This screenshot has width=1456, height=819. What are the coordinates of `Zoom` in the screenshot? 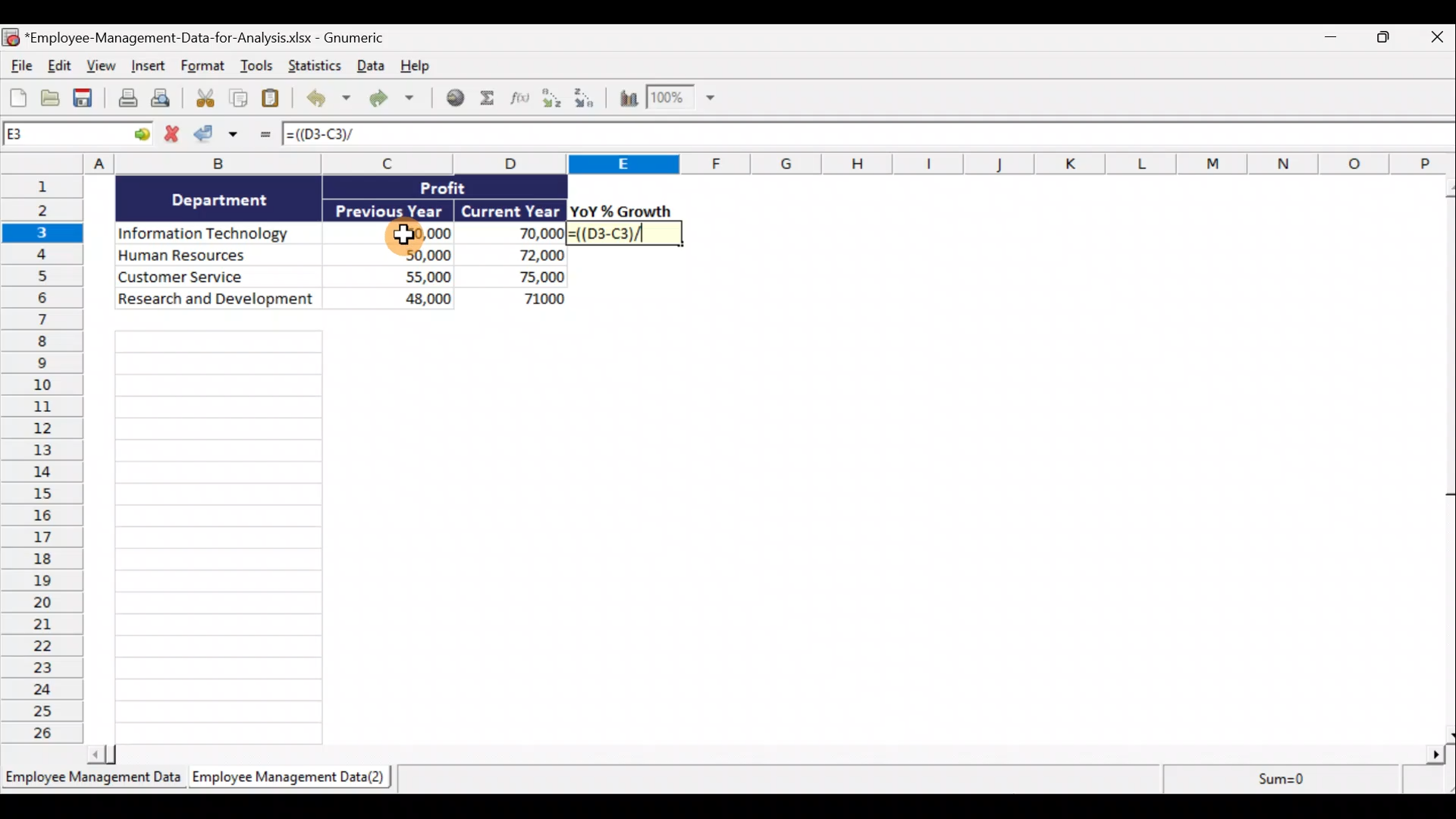 It's located at (680, 99).